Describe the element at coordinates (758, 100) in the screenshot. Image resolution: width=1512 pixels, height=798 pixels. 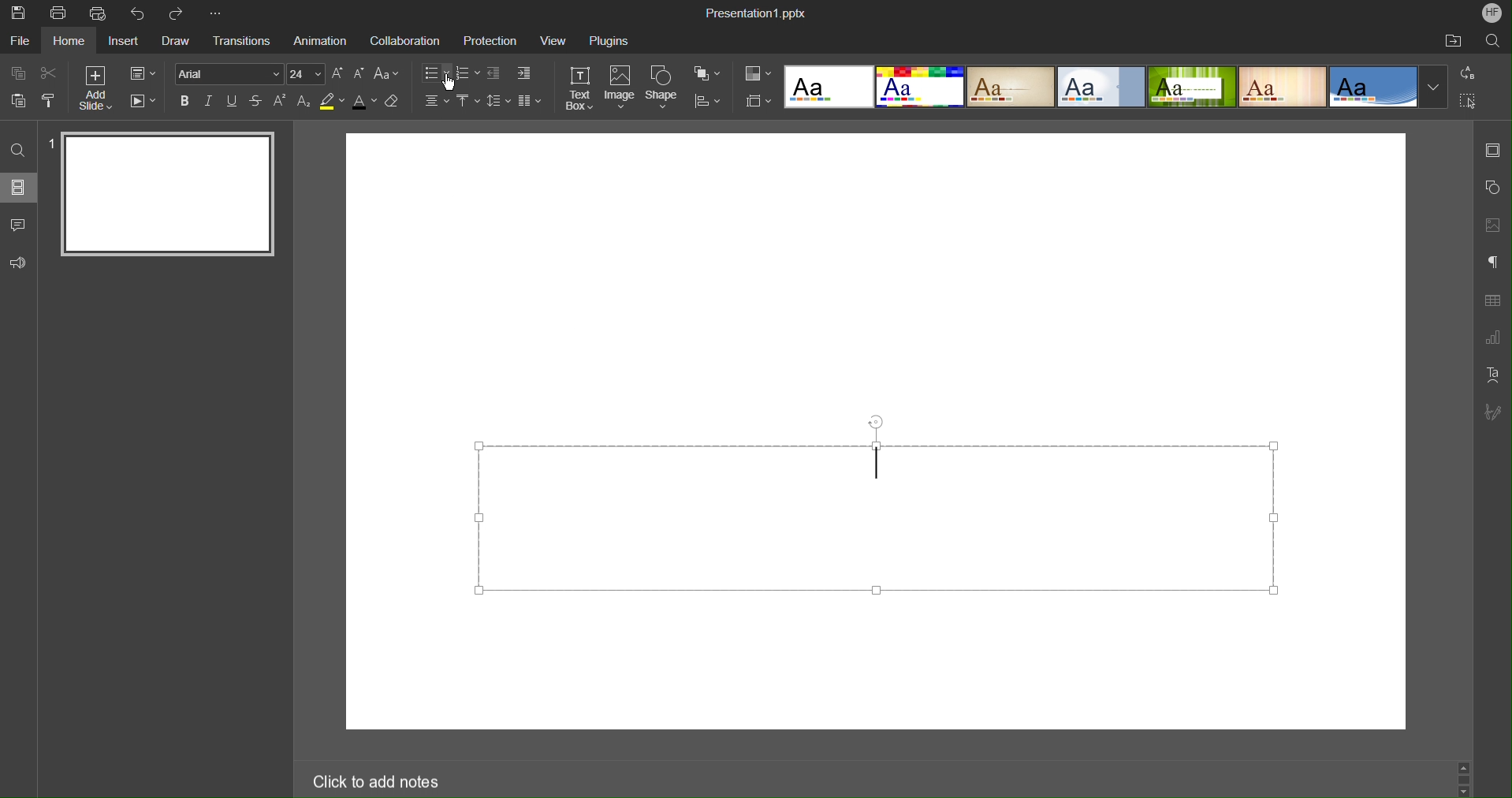
I see `Slide Size Settings` at that location.